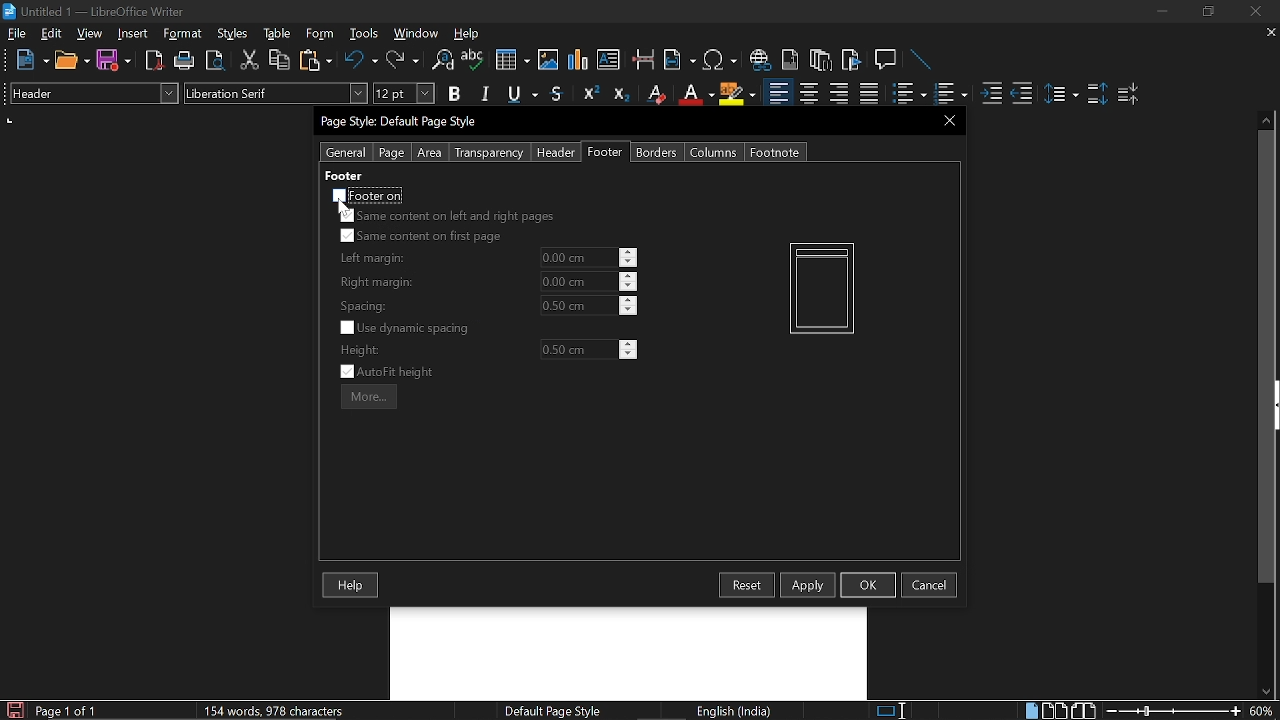  What do you see at coordinates (747, 585) in the screenshot?
I see `Resest` at bounding box center [747, 585].